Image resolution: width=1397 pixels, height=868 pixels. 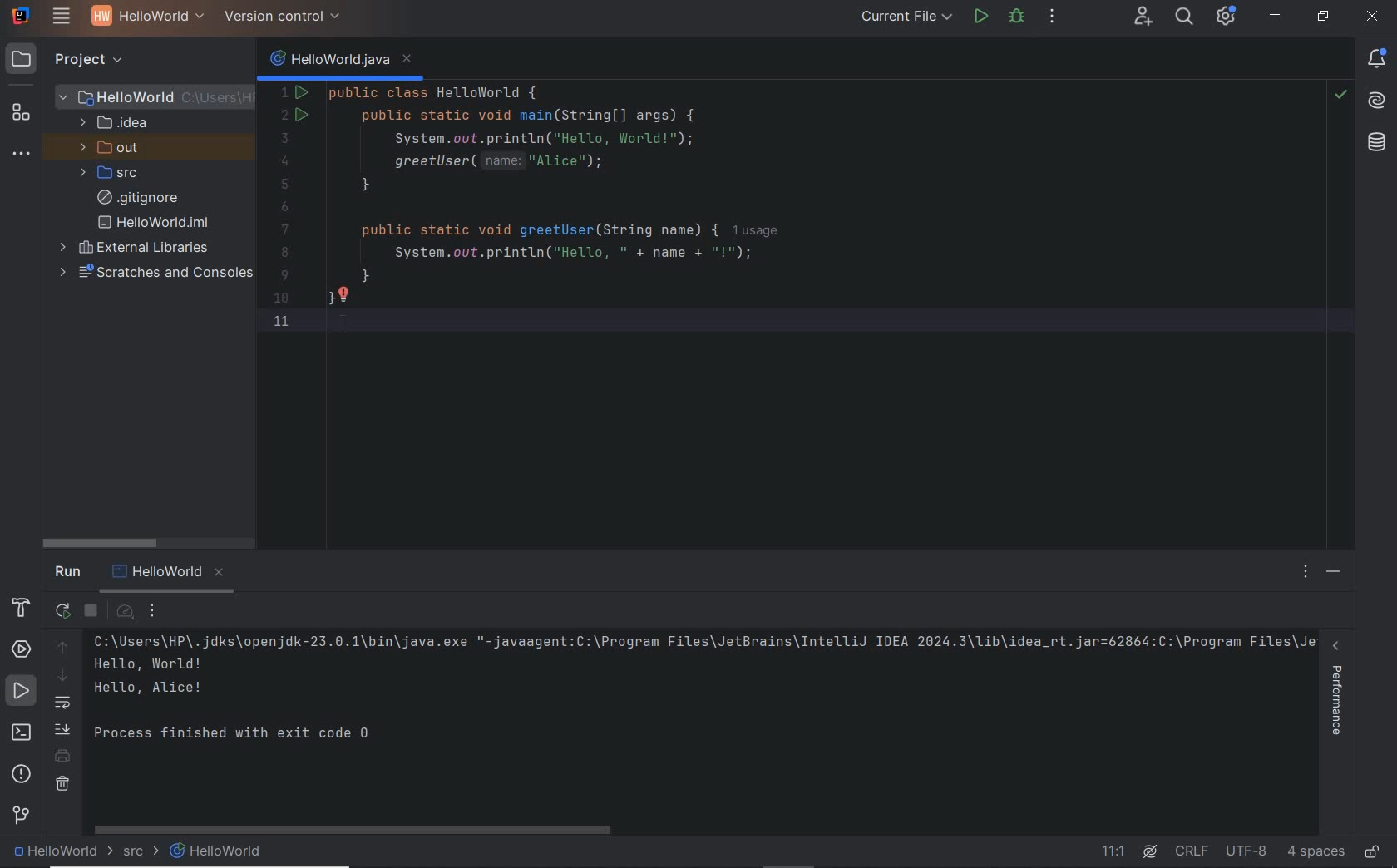 I want to click on current file, so click(x=905, y=16).